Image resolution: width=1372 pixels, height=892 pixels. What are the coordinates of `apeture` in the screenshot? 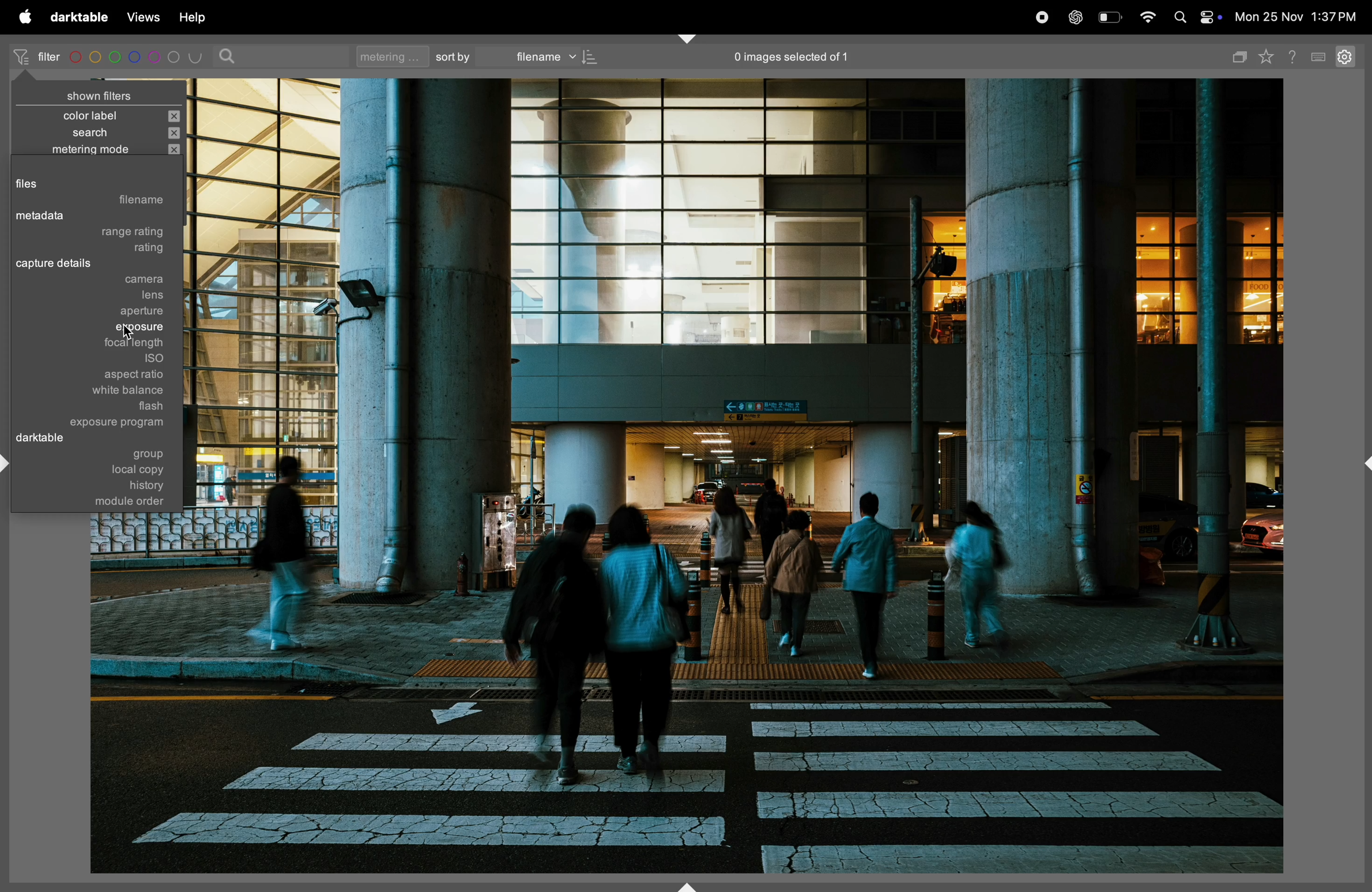 It's located at (109, 312).